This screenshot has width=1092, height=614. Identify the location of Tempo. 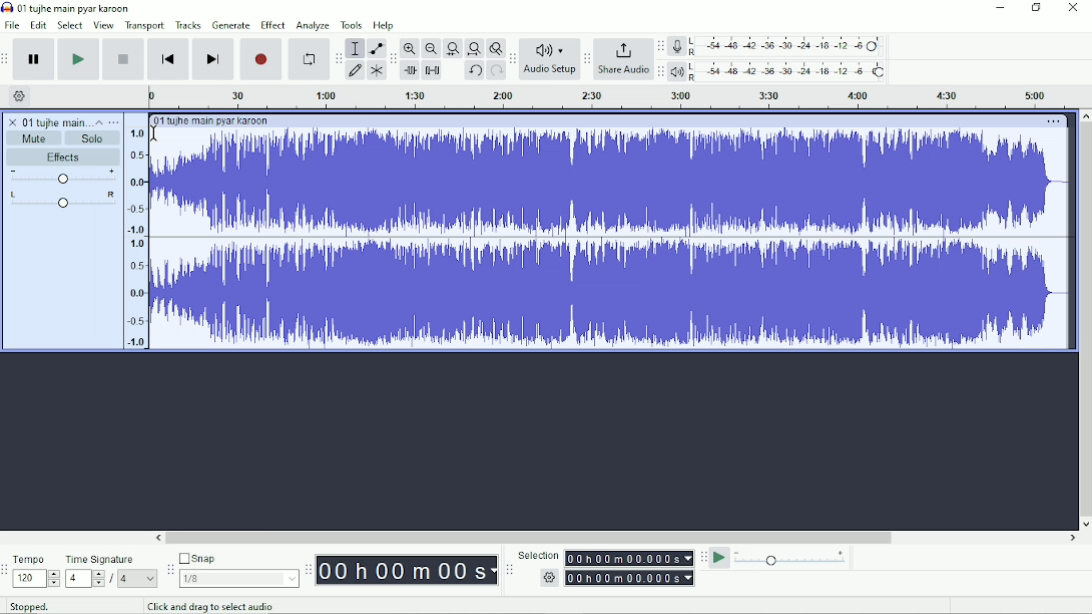
(31, 558).